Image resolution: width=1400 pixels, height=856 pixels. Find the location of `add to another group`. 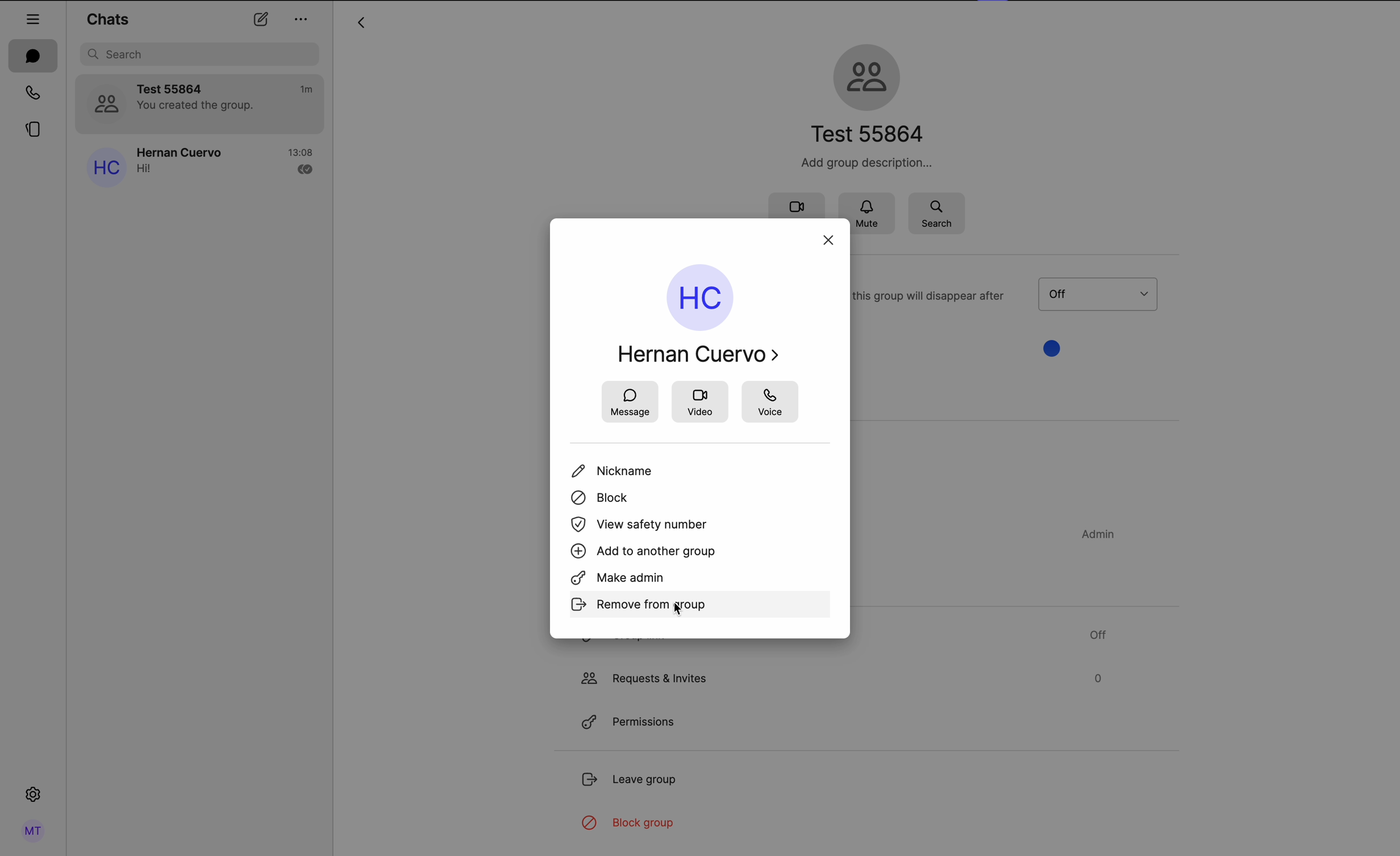

add to another group is located at coordinates (645, 552).